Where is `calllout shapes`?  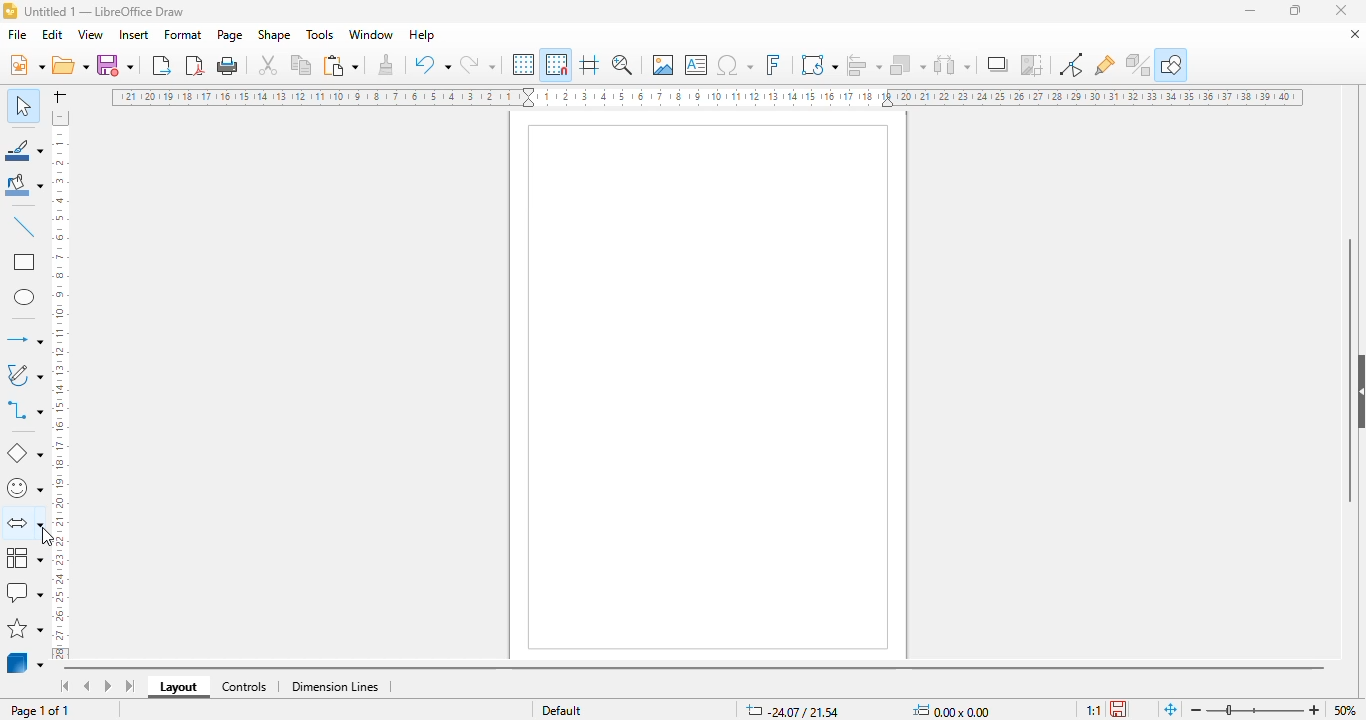 calllout shapes is located at coordinates (24, 592).